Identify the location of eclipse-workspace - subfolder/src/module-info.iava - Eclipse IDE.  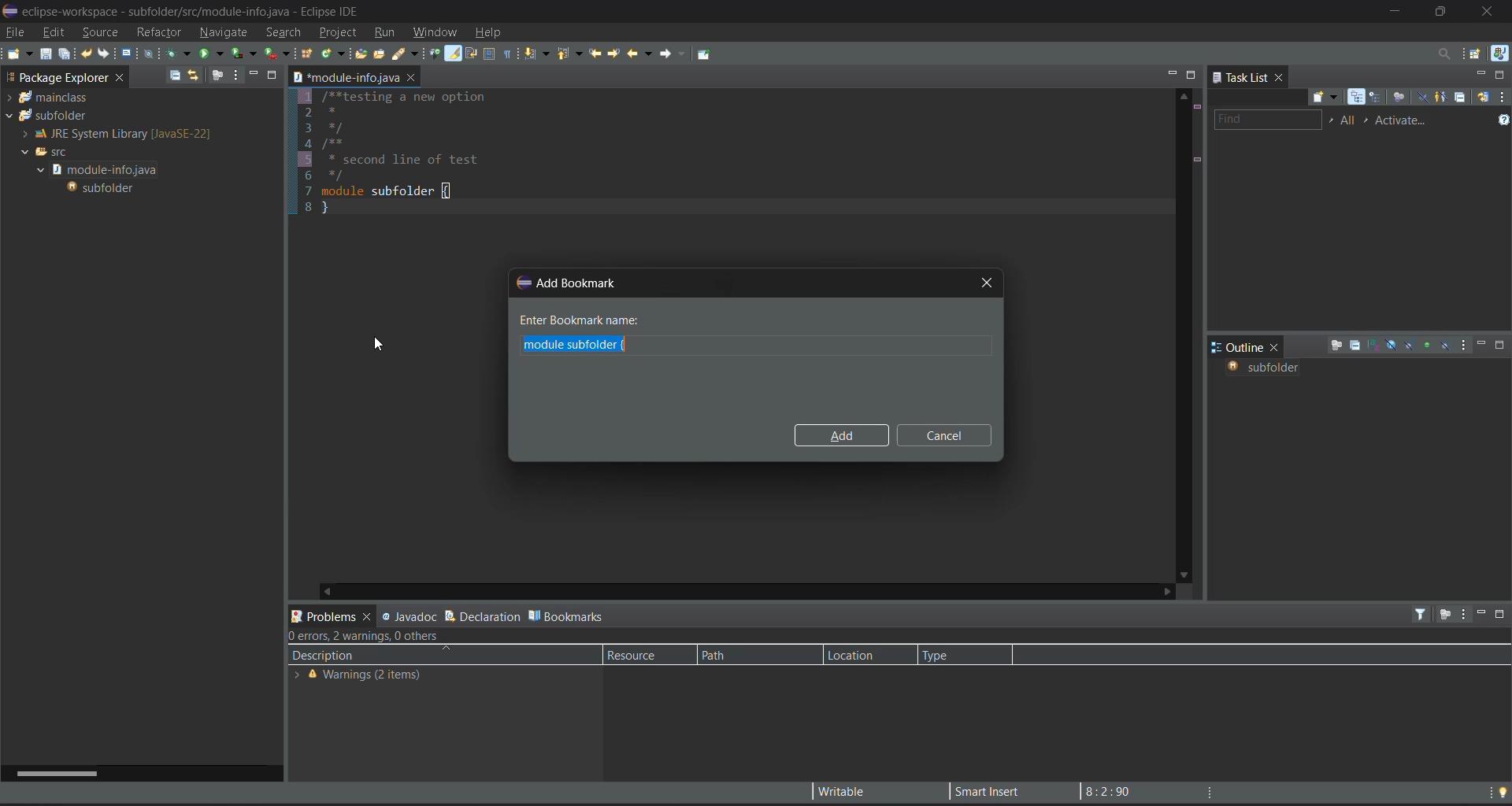
(197, 10).